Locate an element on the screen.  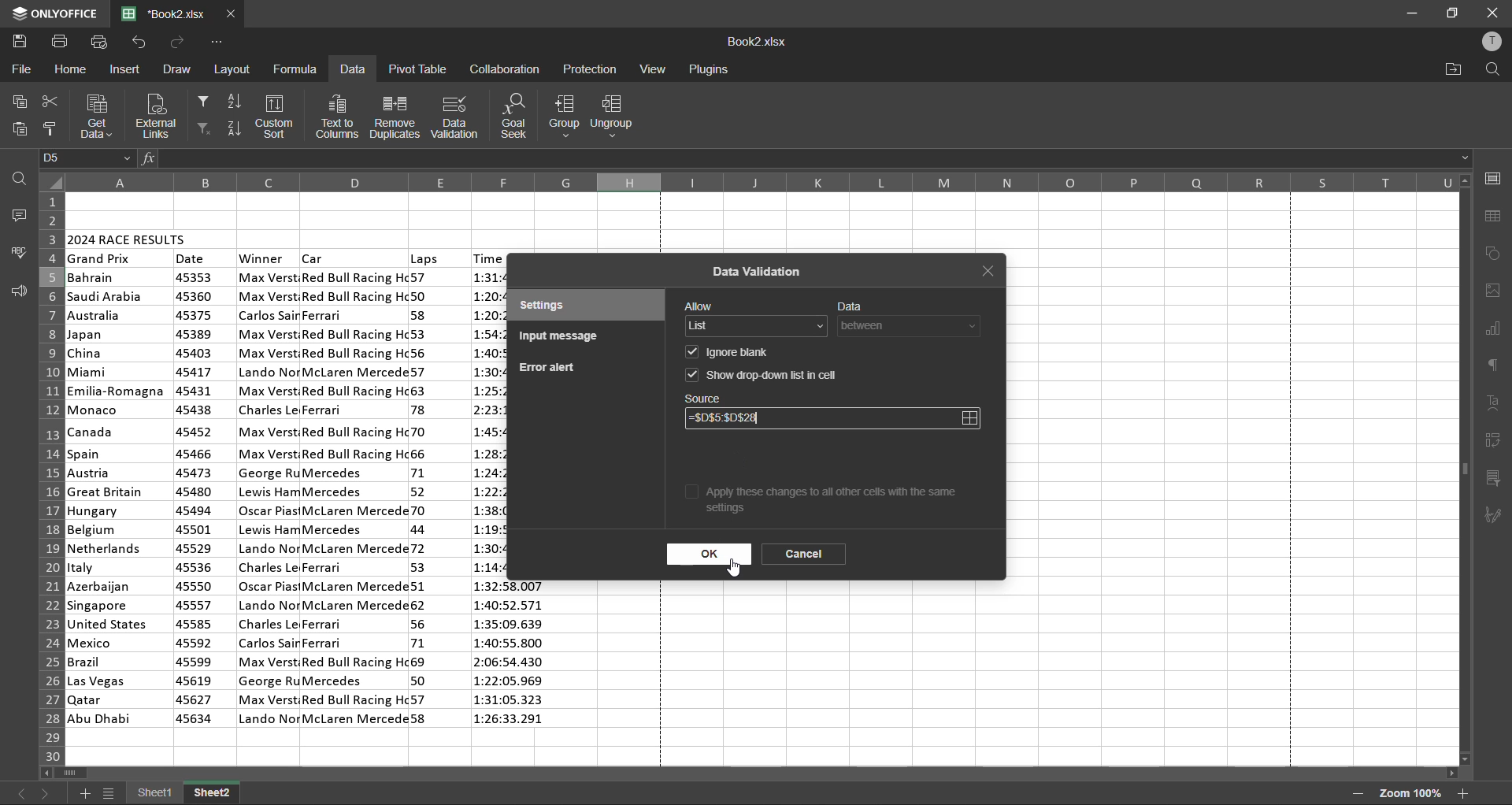
undo is located at coordinates (138, 42).